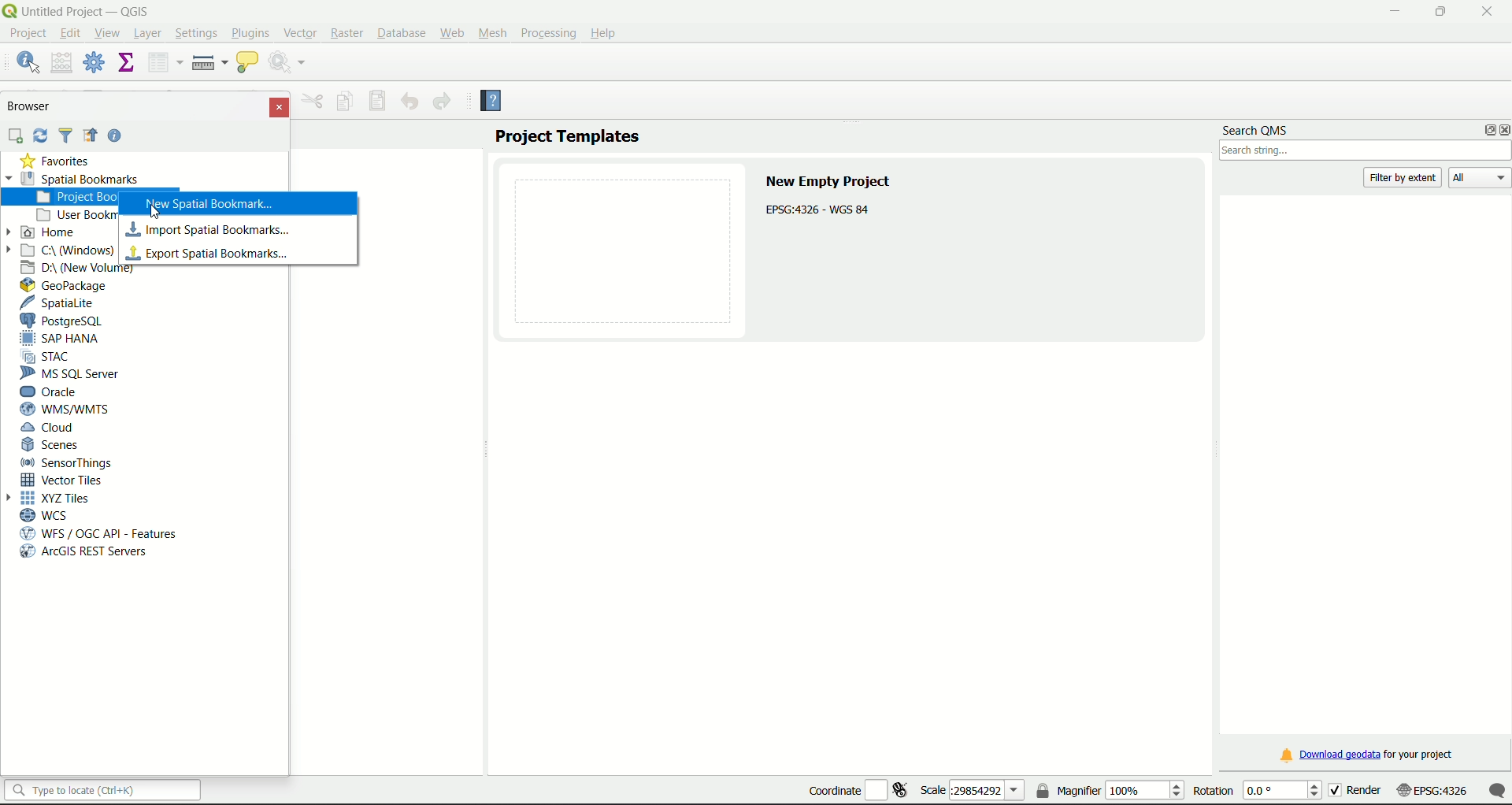 This screenshot has height=805, width=1512. What do you see at coordinates (250, 33) in the screenshot?
I see `Plugins` at bounding box center [250, 33].